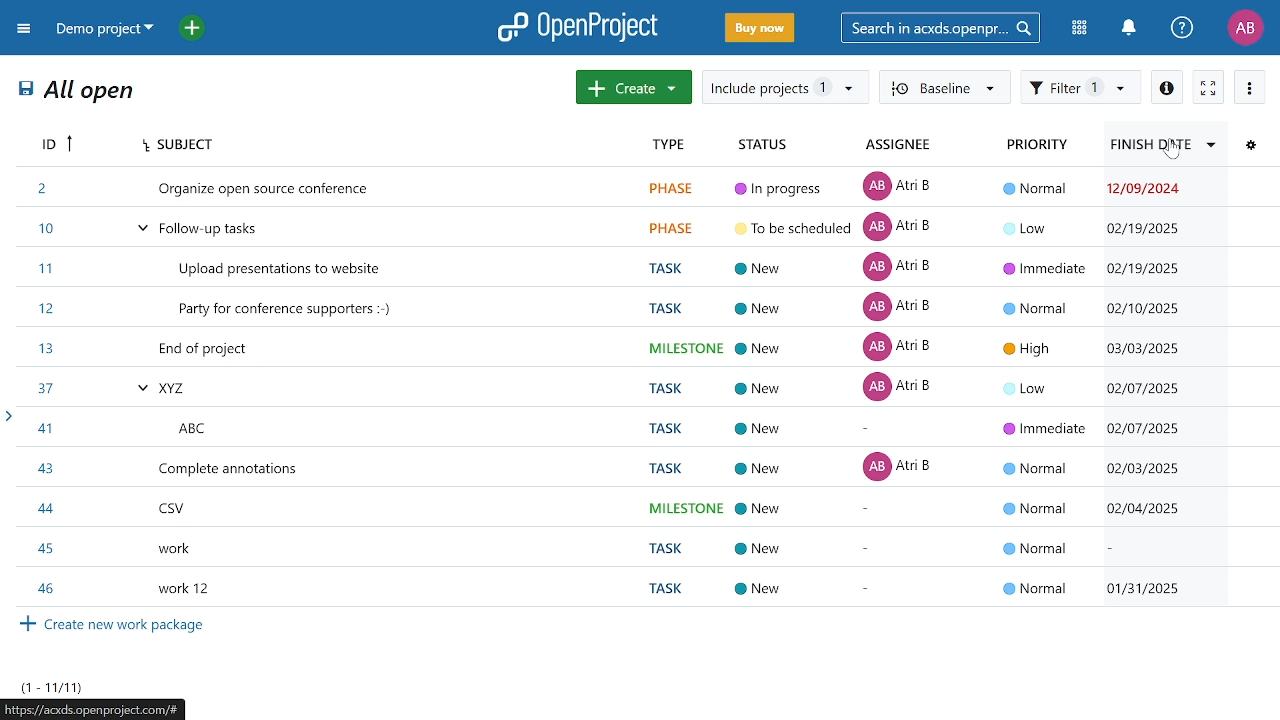 The height and width of the screenshot is (720, 1280). What do you see at coordinates (758, 29) in the screenshot?
I see `buy now` at bounding box center [758, 29].